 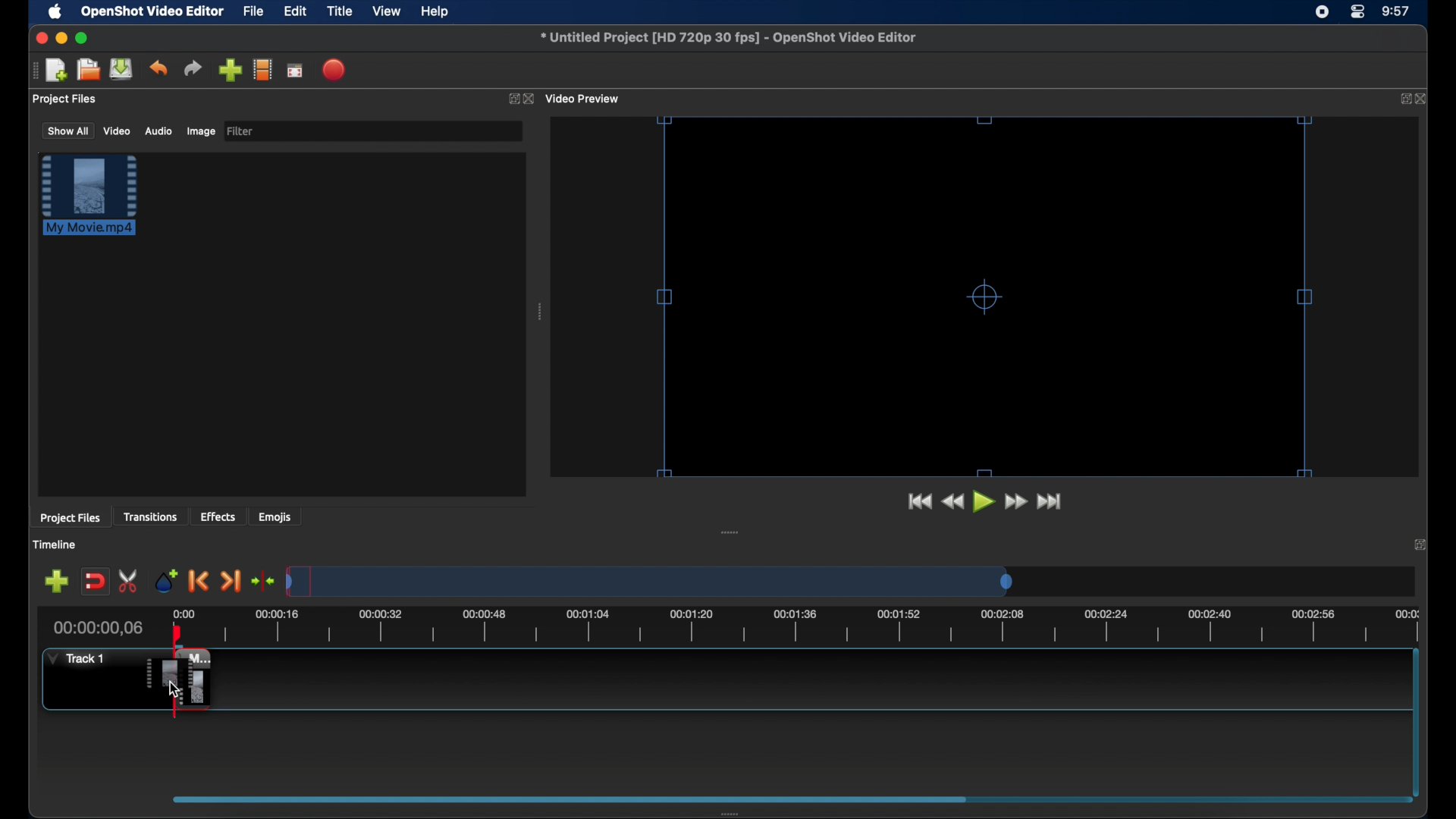 What do you see at coordinates (296, 70) in the screenshot?
I see `full screen` at bounding box center [296, 70].